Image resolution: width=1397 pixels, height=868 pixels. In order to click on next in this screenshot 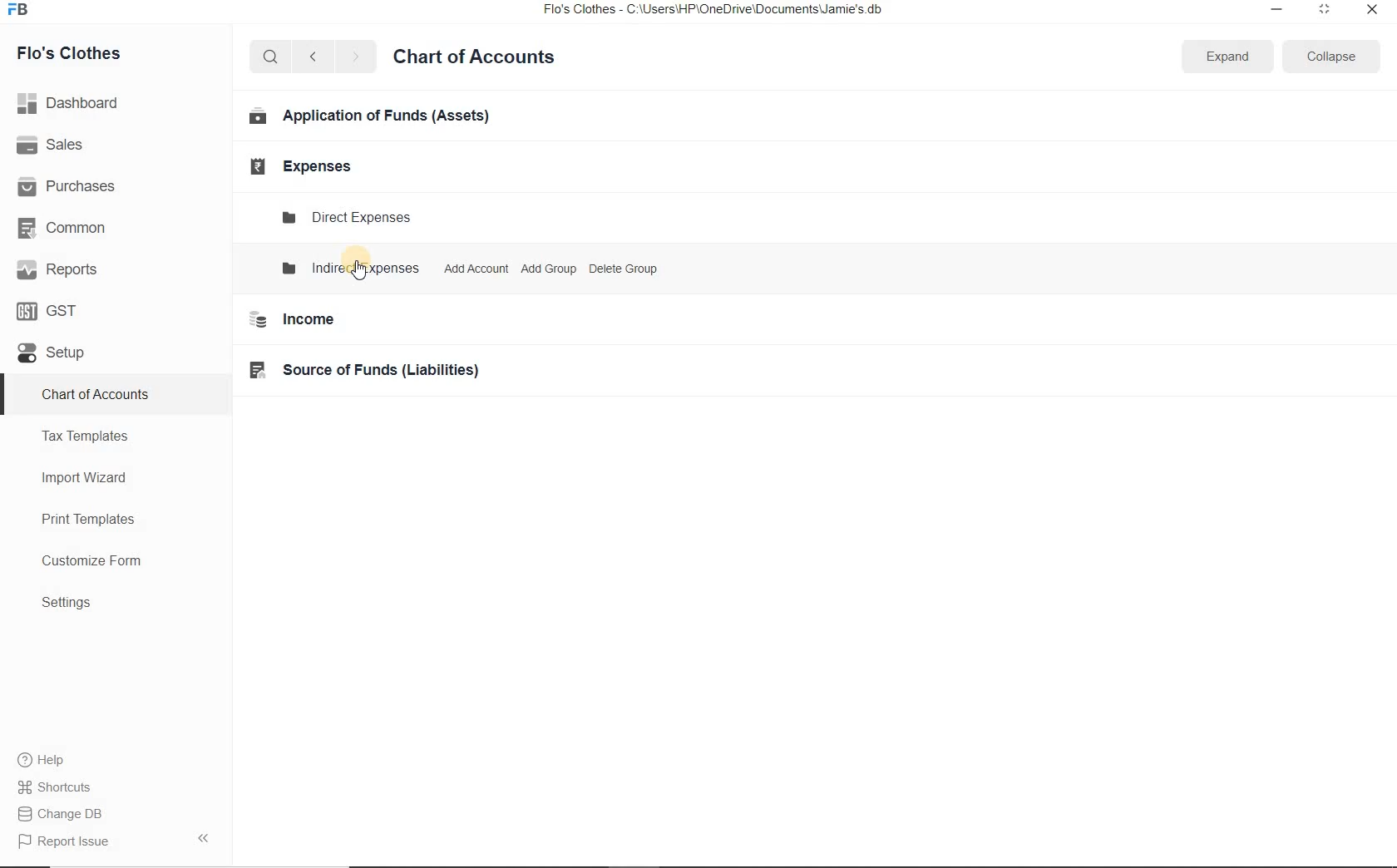, I will do `click(355, 58)`.